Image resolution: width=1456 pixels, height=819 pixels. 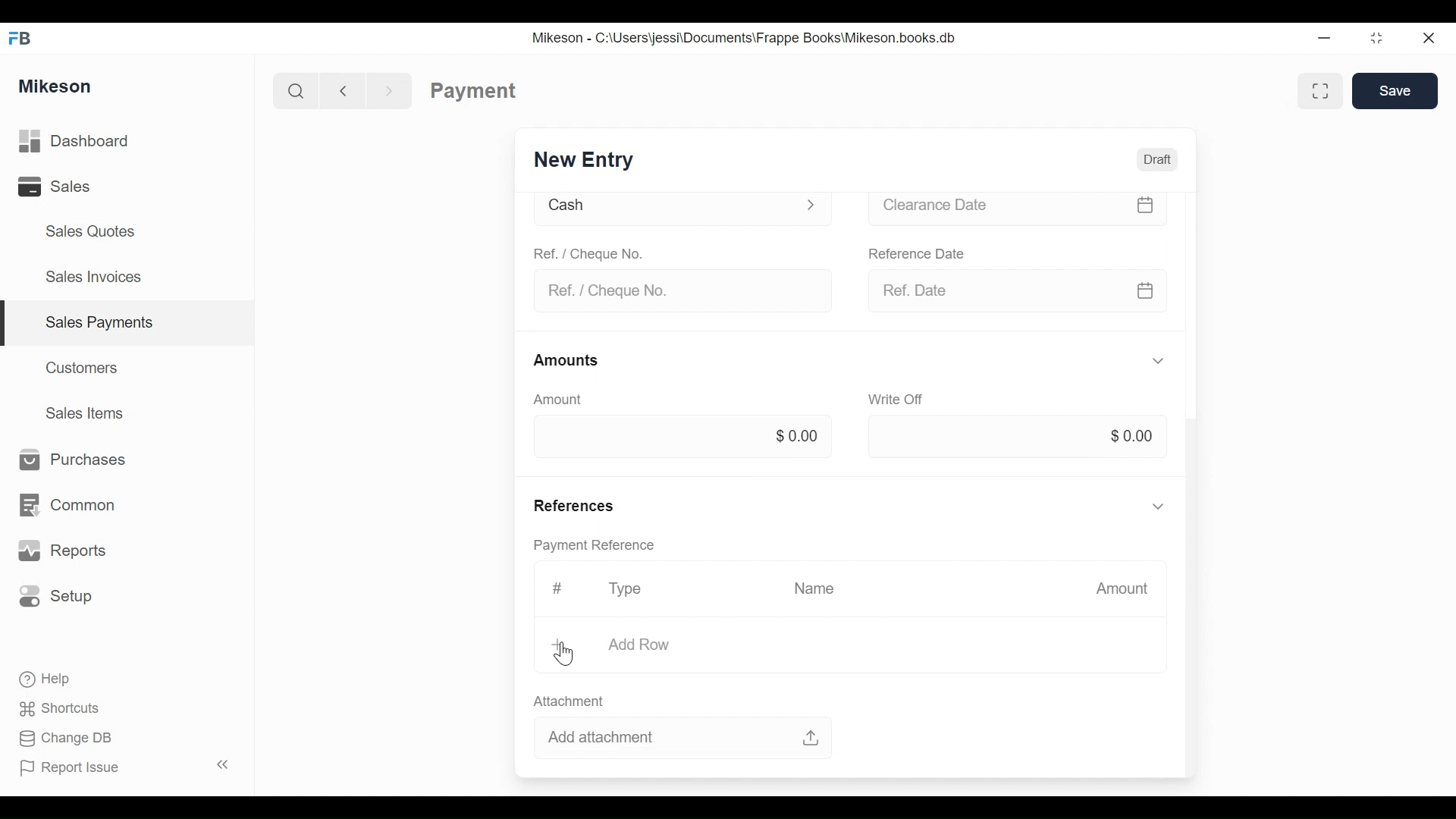 I want to click on Payment, so click(x=472, y=89).